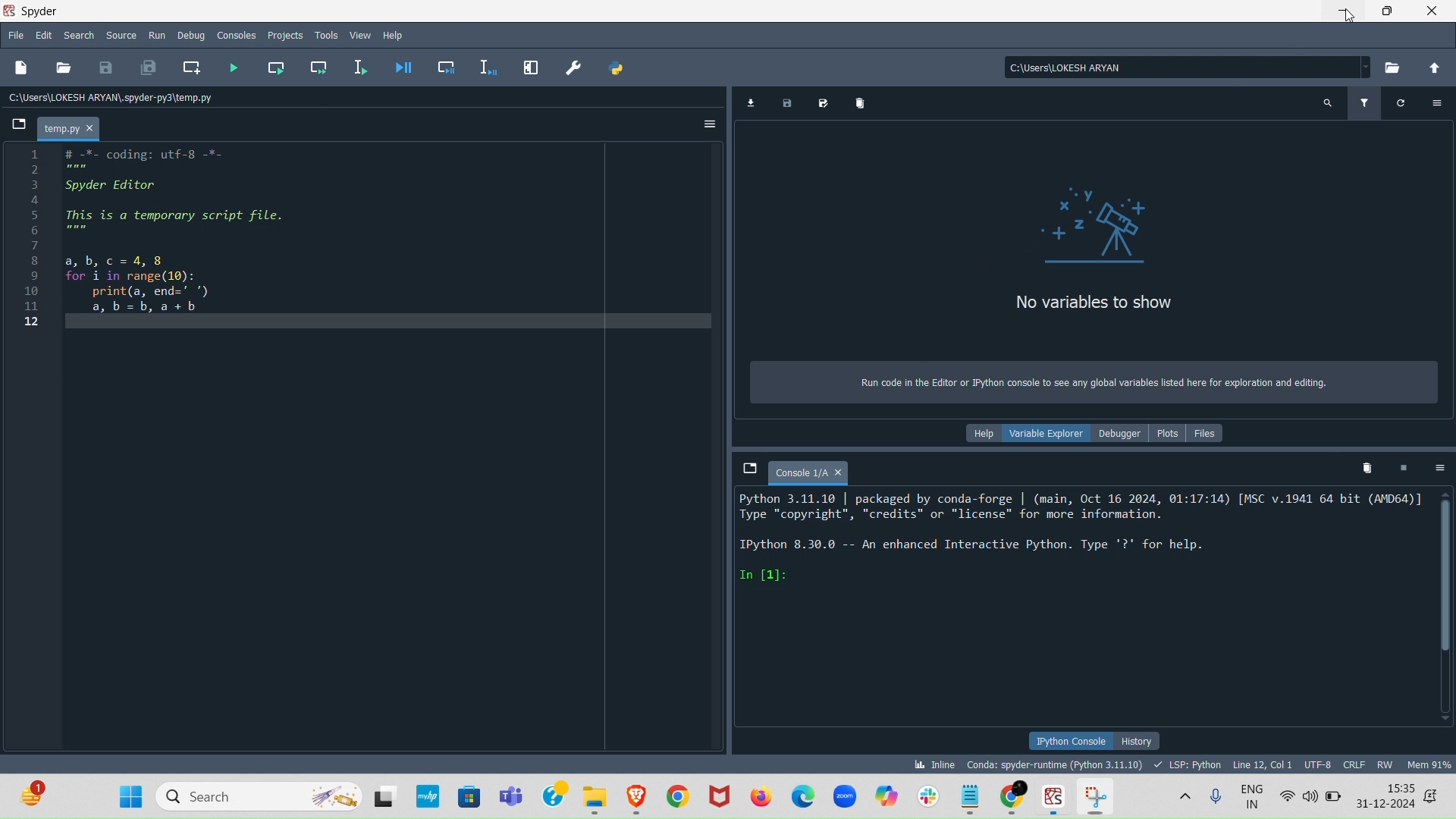 This screenshot has width=1456, height=819. Describe the element at coordinates (1069, 741) in the screenshot. I see `IPython console` at that location.